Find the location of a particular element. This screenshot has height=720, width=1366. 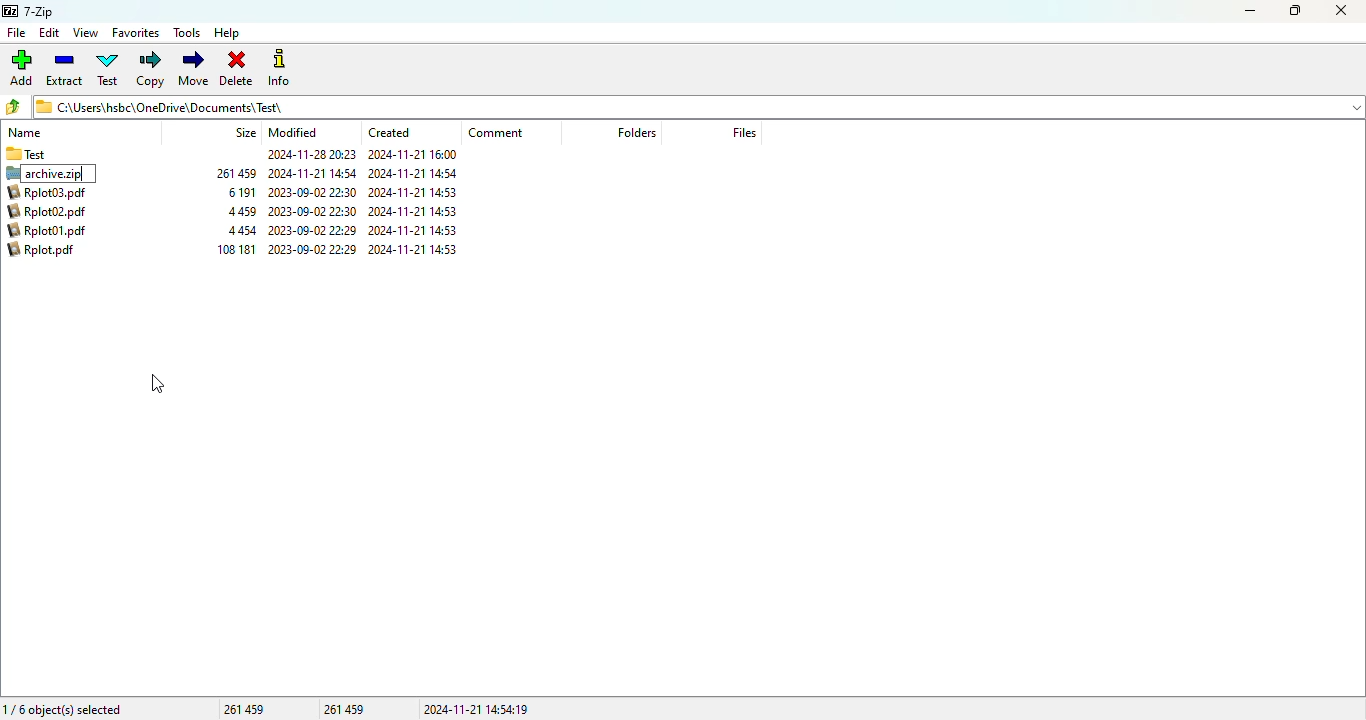

261 459 is located at coordinates (244, 708).